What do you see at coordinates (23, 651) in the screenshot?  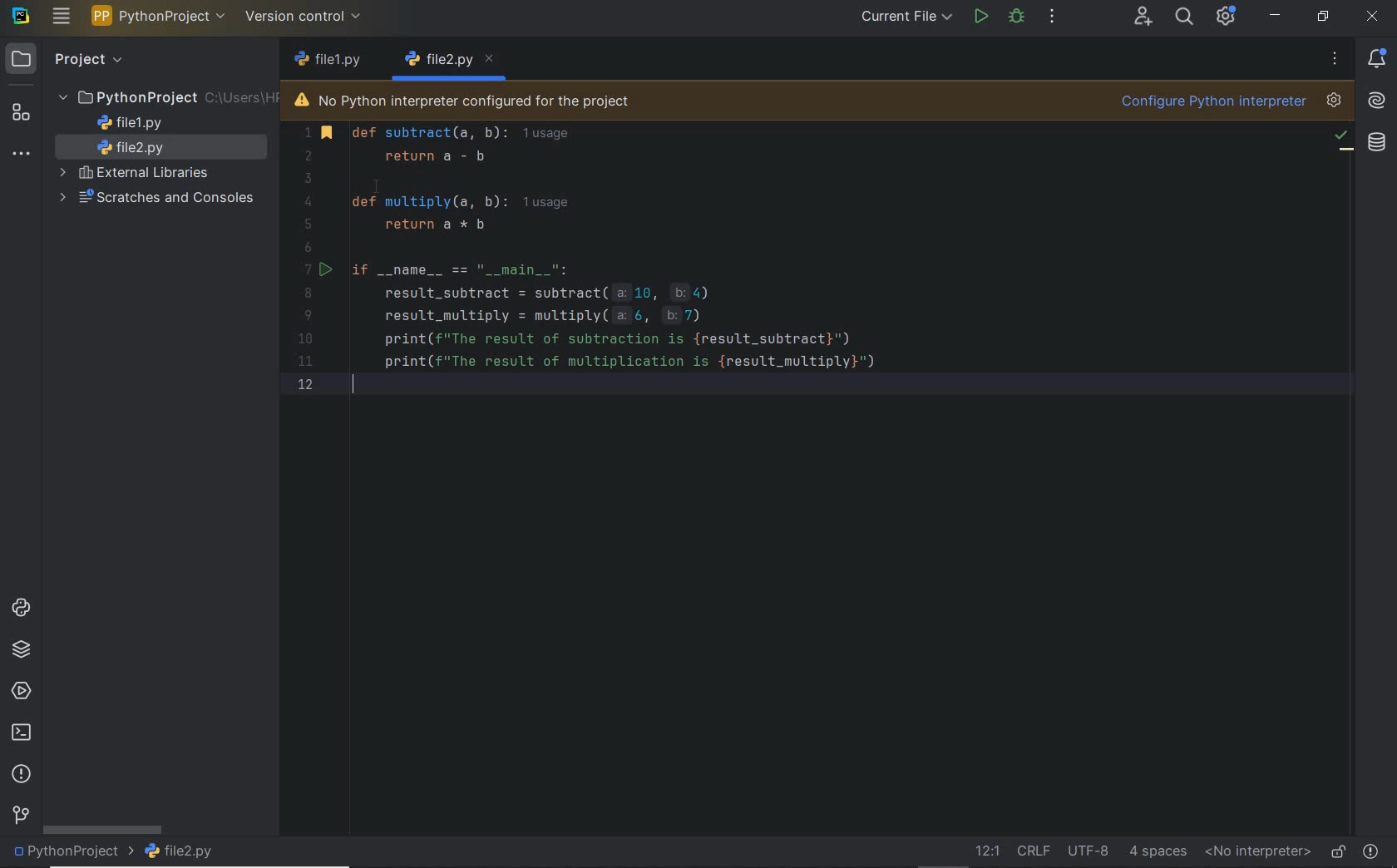 I see `python packages` at bounding box center [23, 651].